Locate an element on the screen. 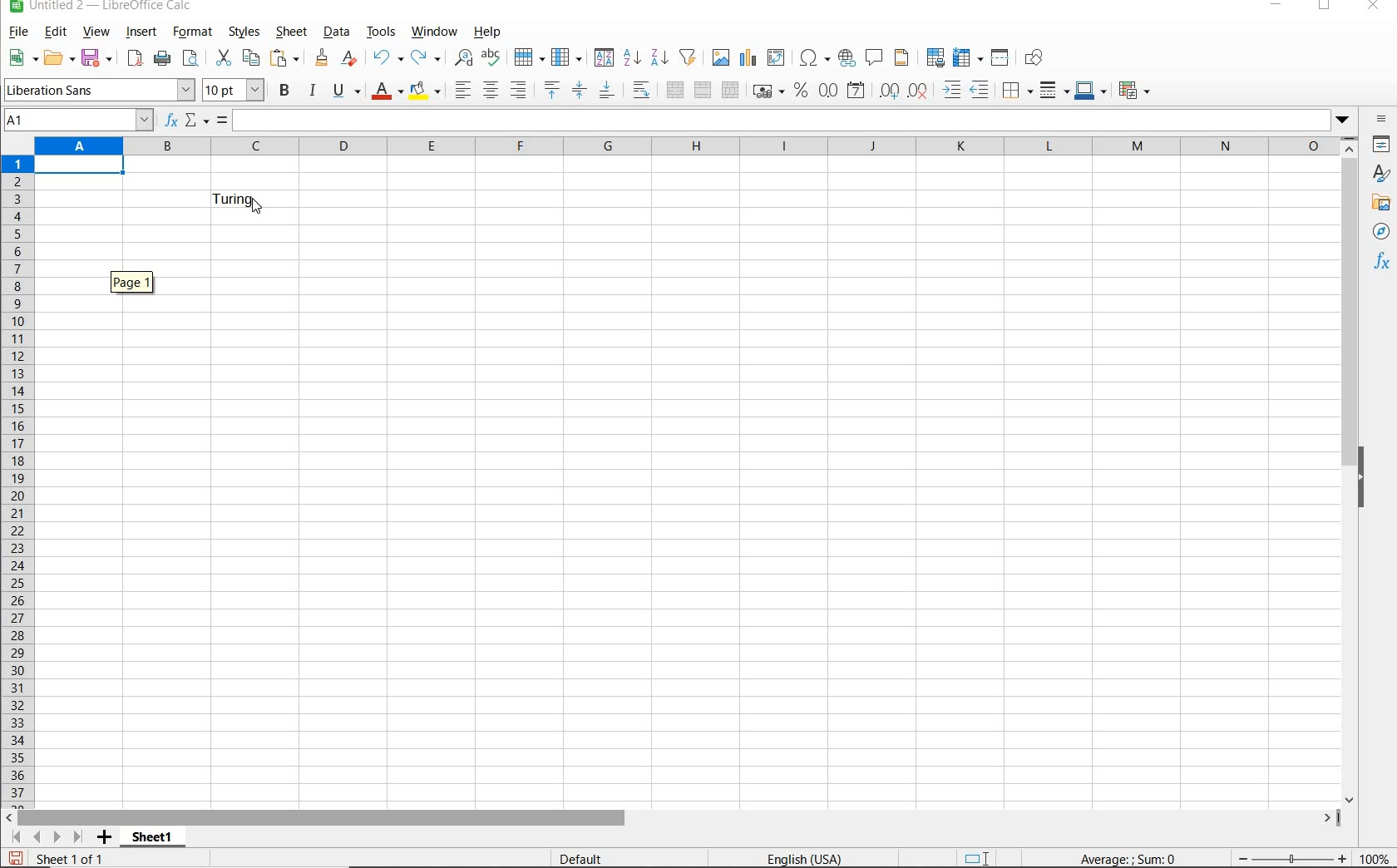  INSERT is located at coordinates (143, 32).